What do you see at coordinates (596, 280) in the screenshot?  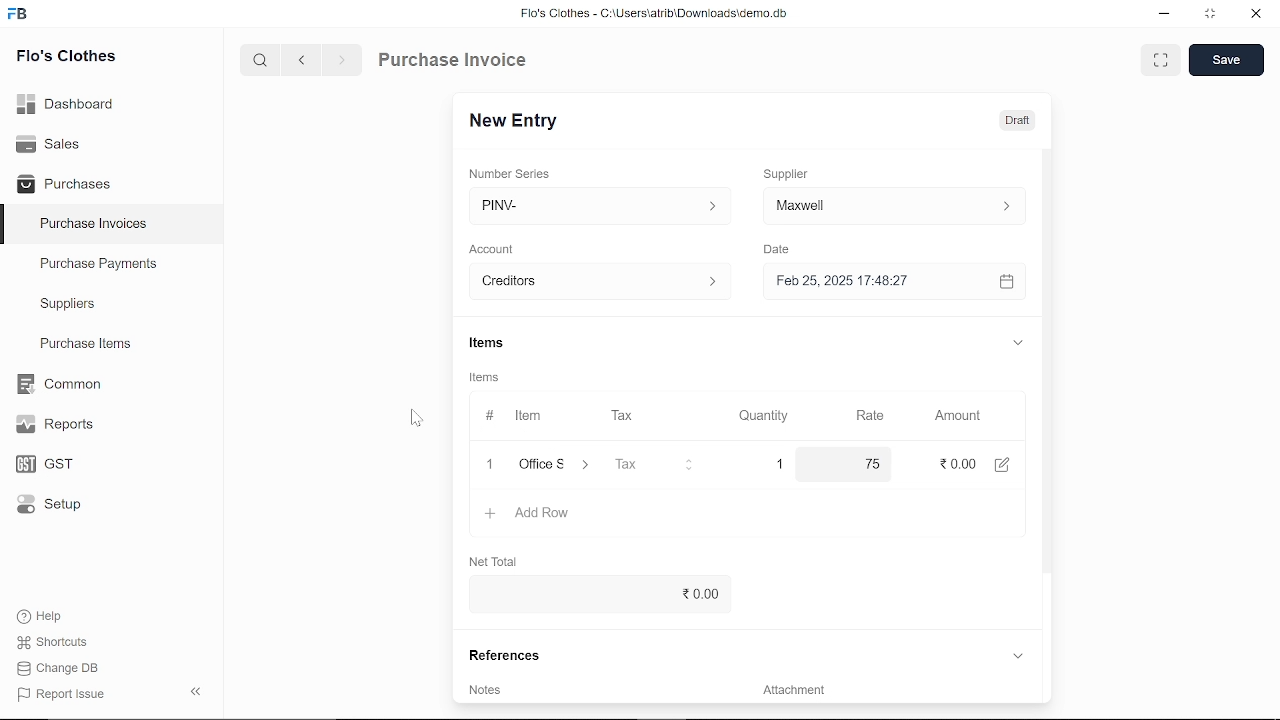 I see `creditors` at bounding box center [596, 280].